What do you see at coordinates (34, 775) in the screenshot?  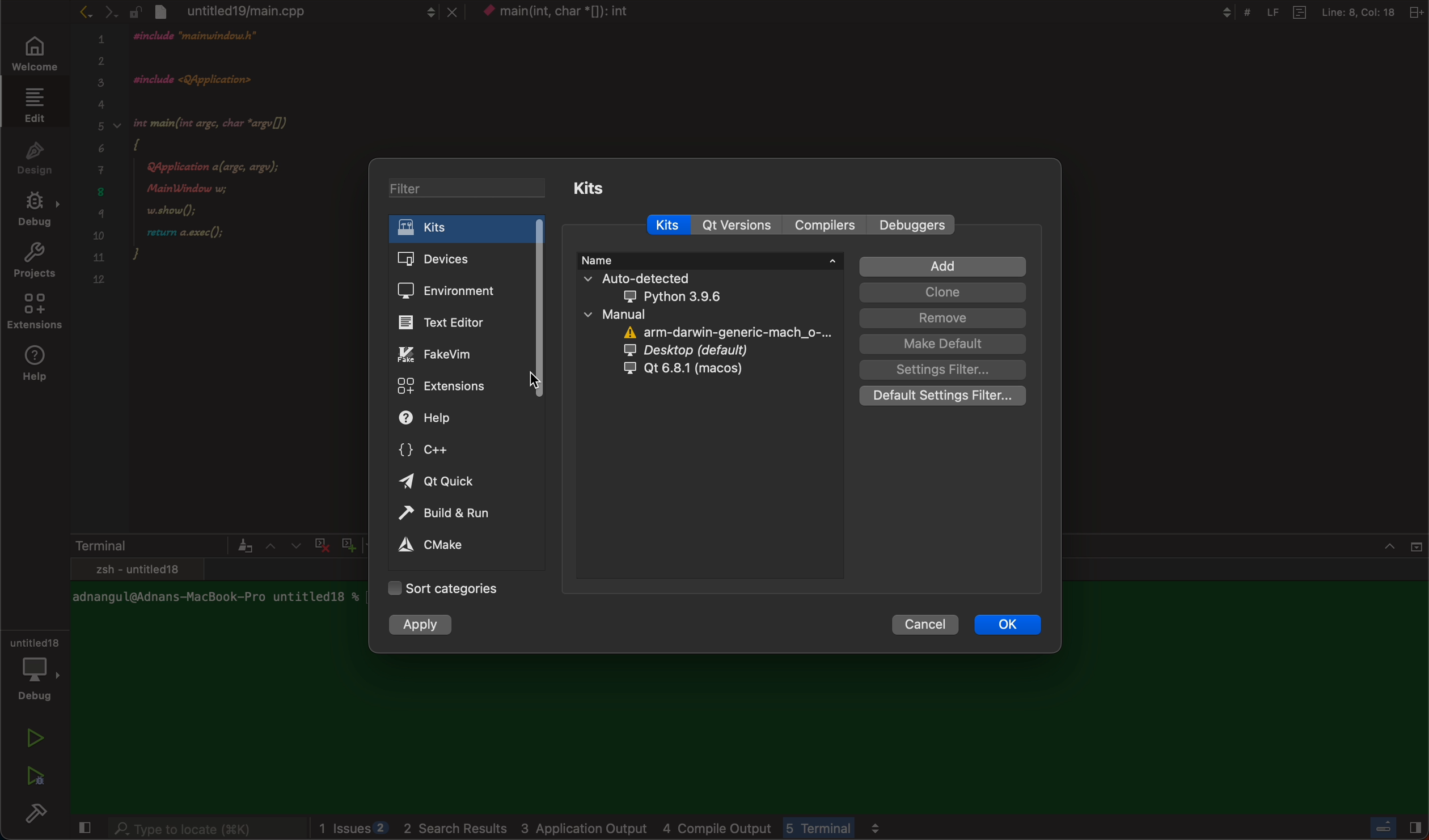 I see `run and debug` at bounding box center [34, 775].